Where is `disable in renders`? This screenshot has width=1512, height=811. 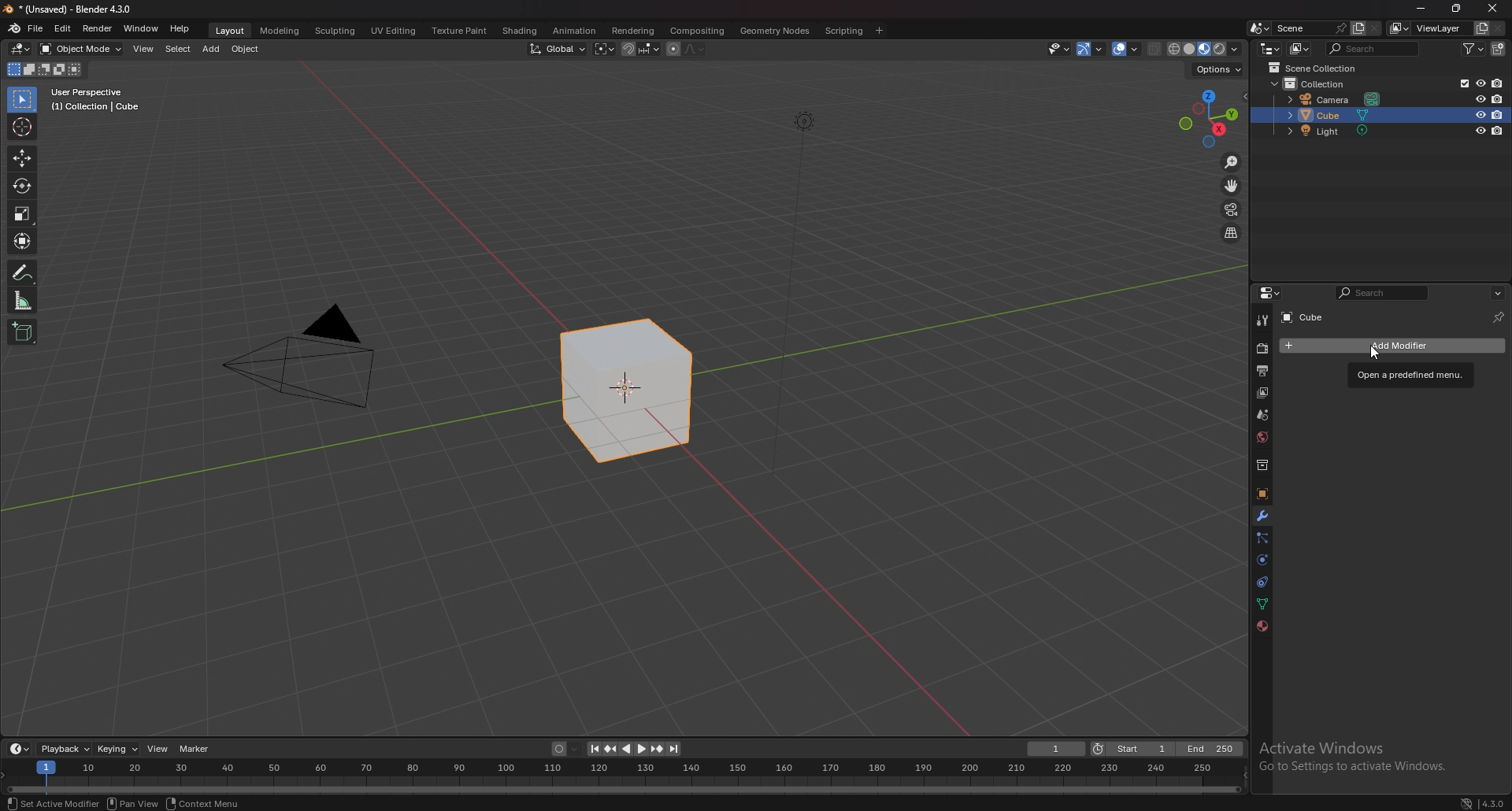
disable in renders is located at coordinates (1499, 130).